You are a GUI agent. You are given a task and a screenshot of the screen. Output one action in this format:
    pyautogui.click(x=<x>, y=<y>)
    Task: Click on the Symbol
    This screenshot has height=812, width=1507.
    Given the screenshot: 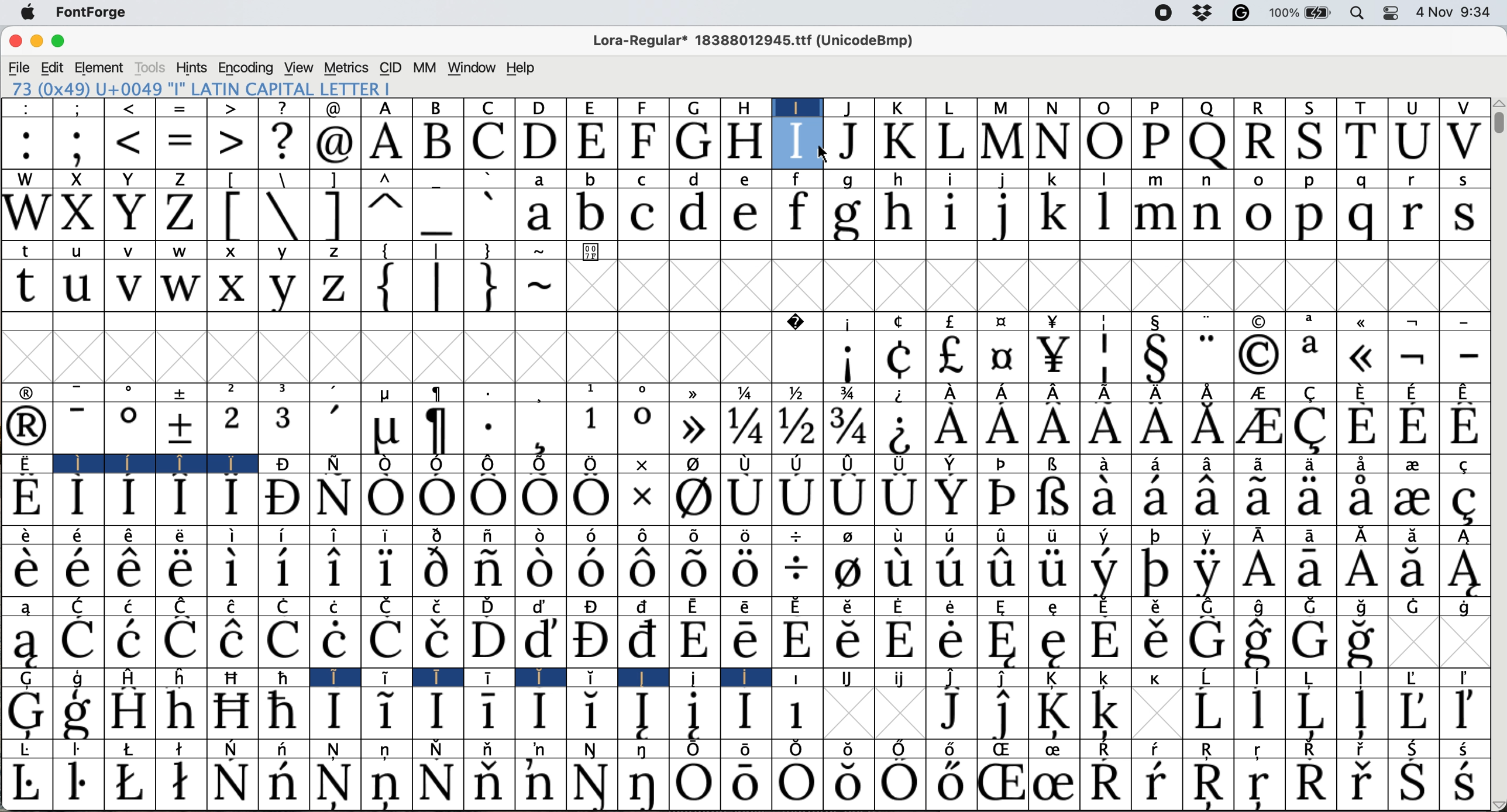 What is the action you would take?
    pyautogui.click(x=1003, y=535)
    